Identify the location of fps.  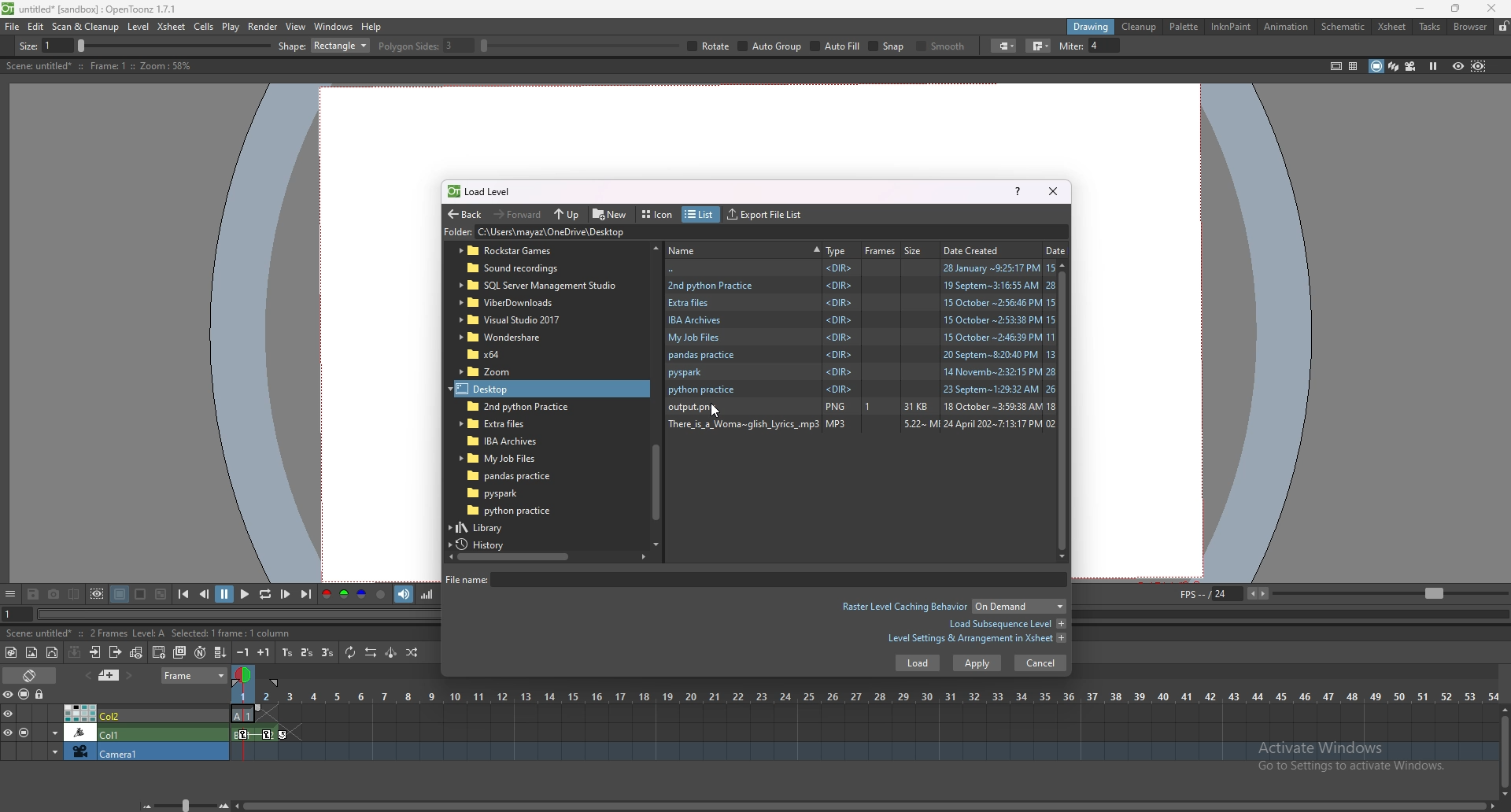
(1341, 592).